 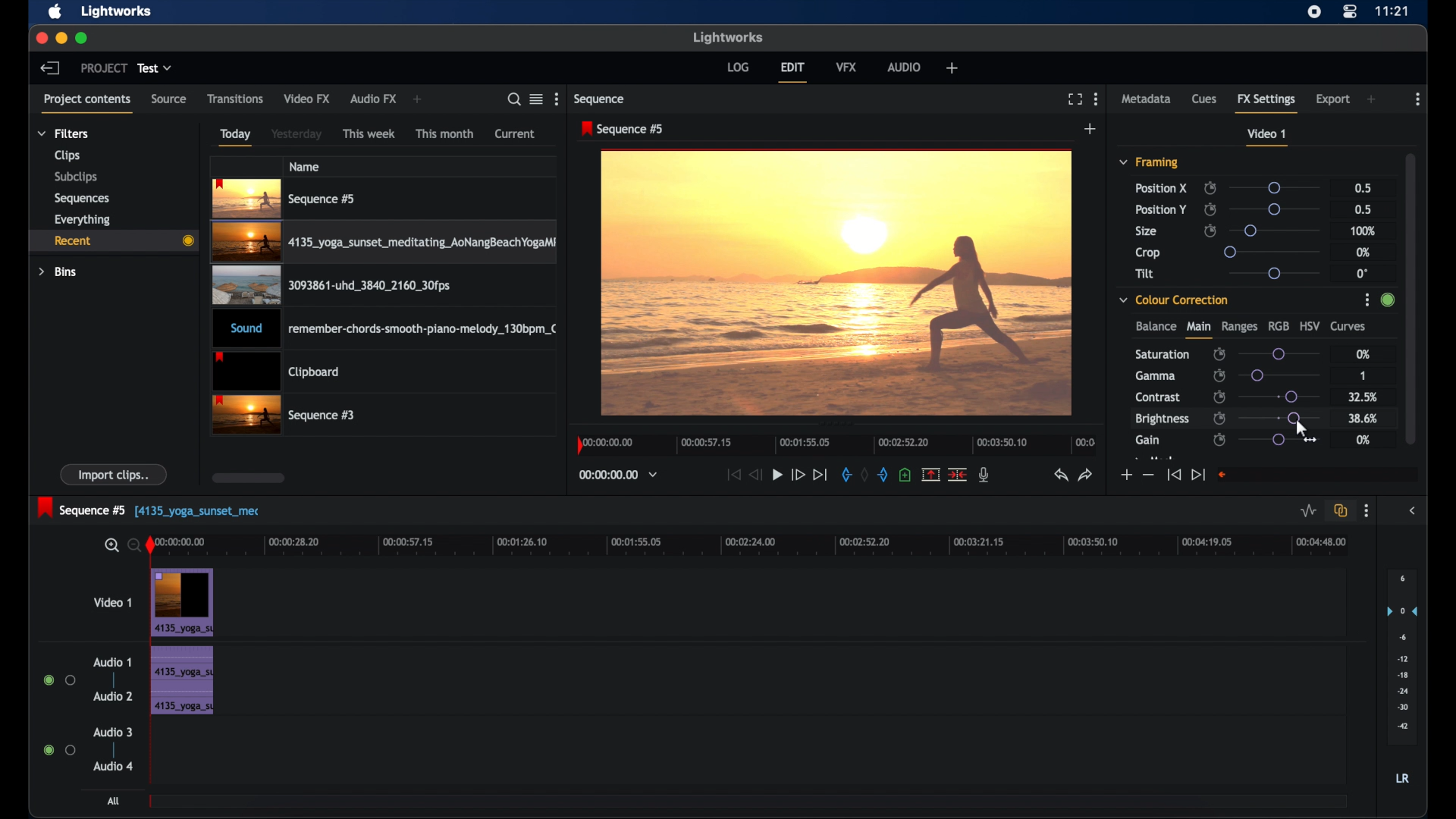 I want to click on enable/disable keyframes, so click(x=1220, y=375).